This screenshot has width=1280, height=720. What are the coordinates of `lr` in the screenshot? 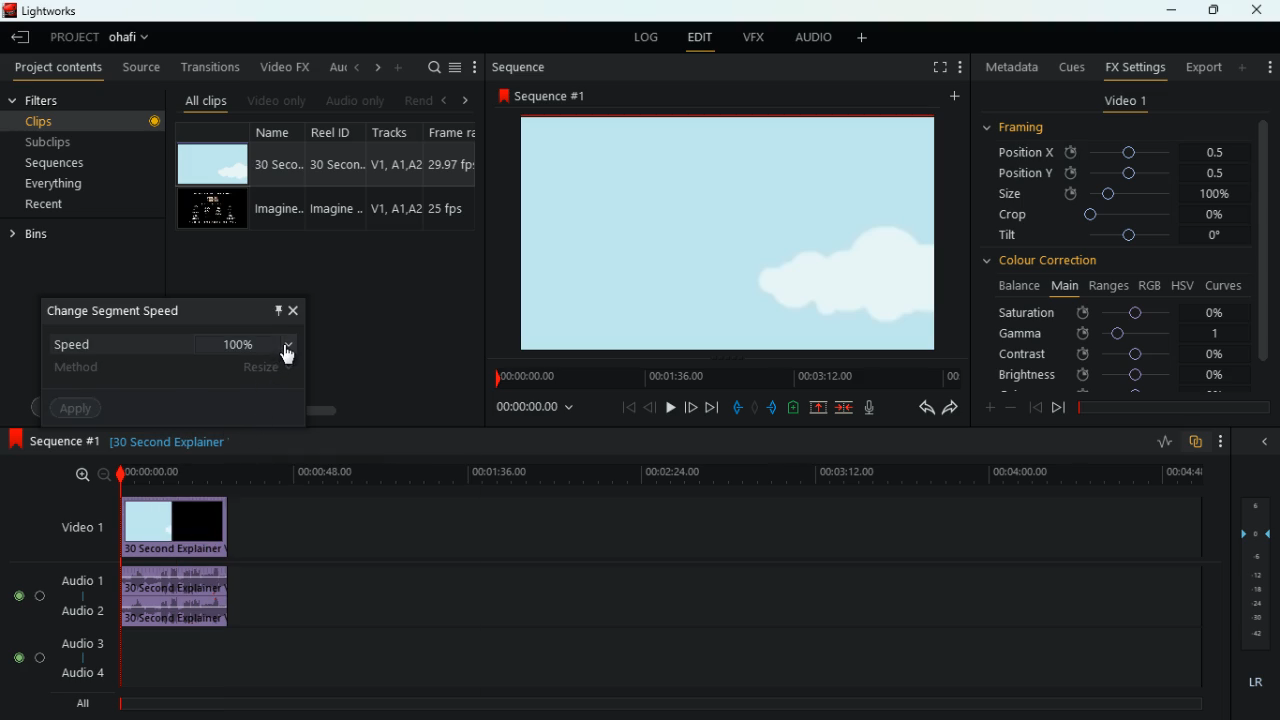 It's located at (1253, 679).